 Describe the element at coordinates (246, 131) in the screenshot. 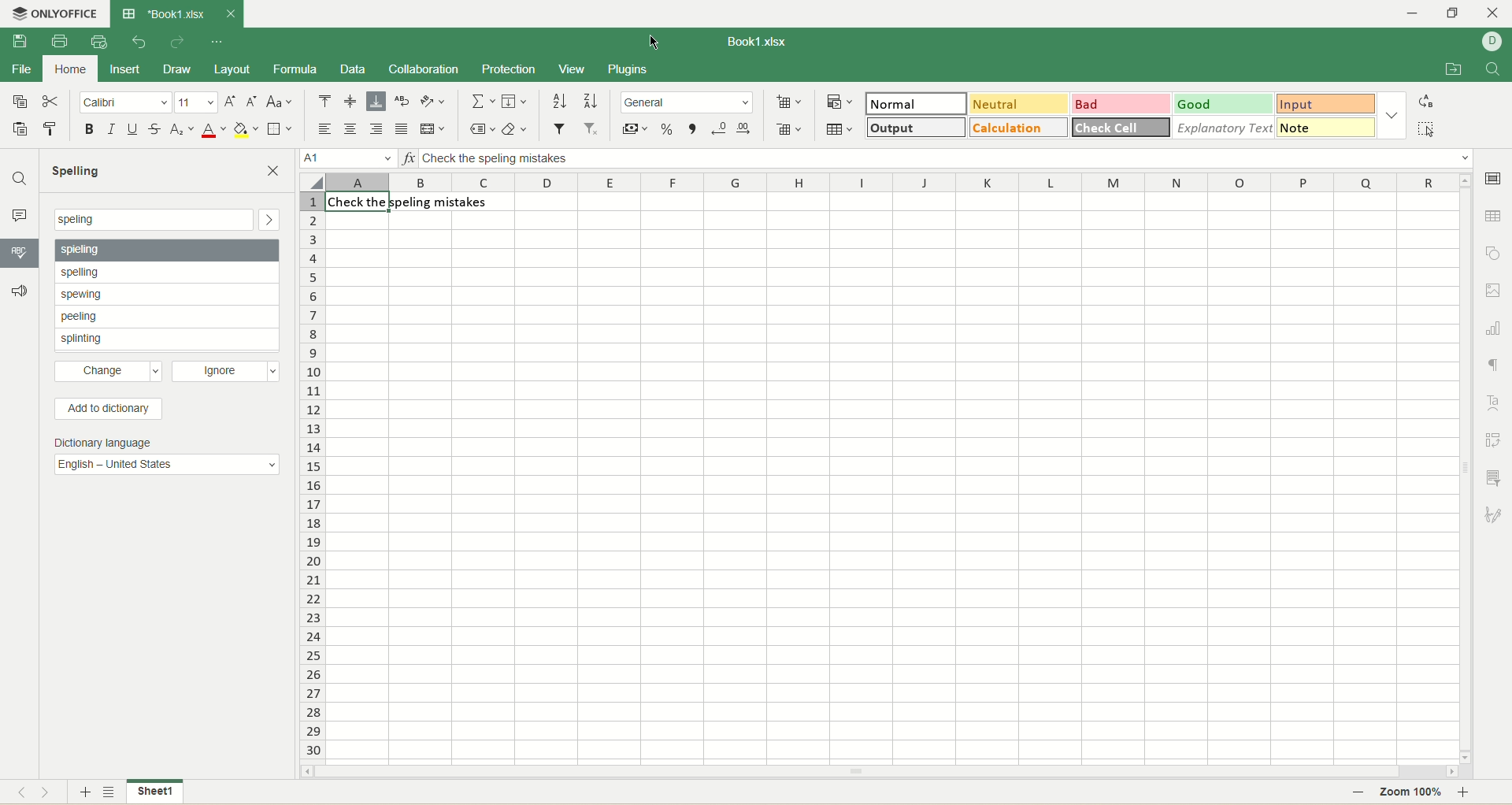

I see `background color` at that location.